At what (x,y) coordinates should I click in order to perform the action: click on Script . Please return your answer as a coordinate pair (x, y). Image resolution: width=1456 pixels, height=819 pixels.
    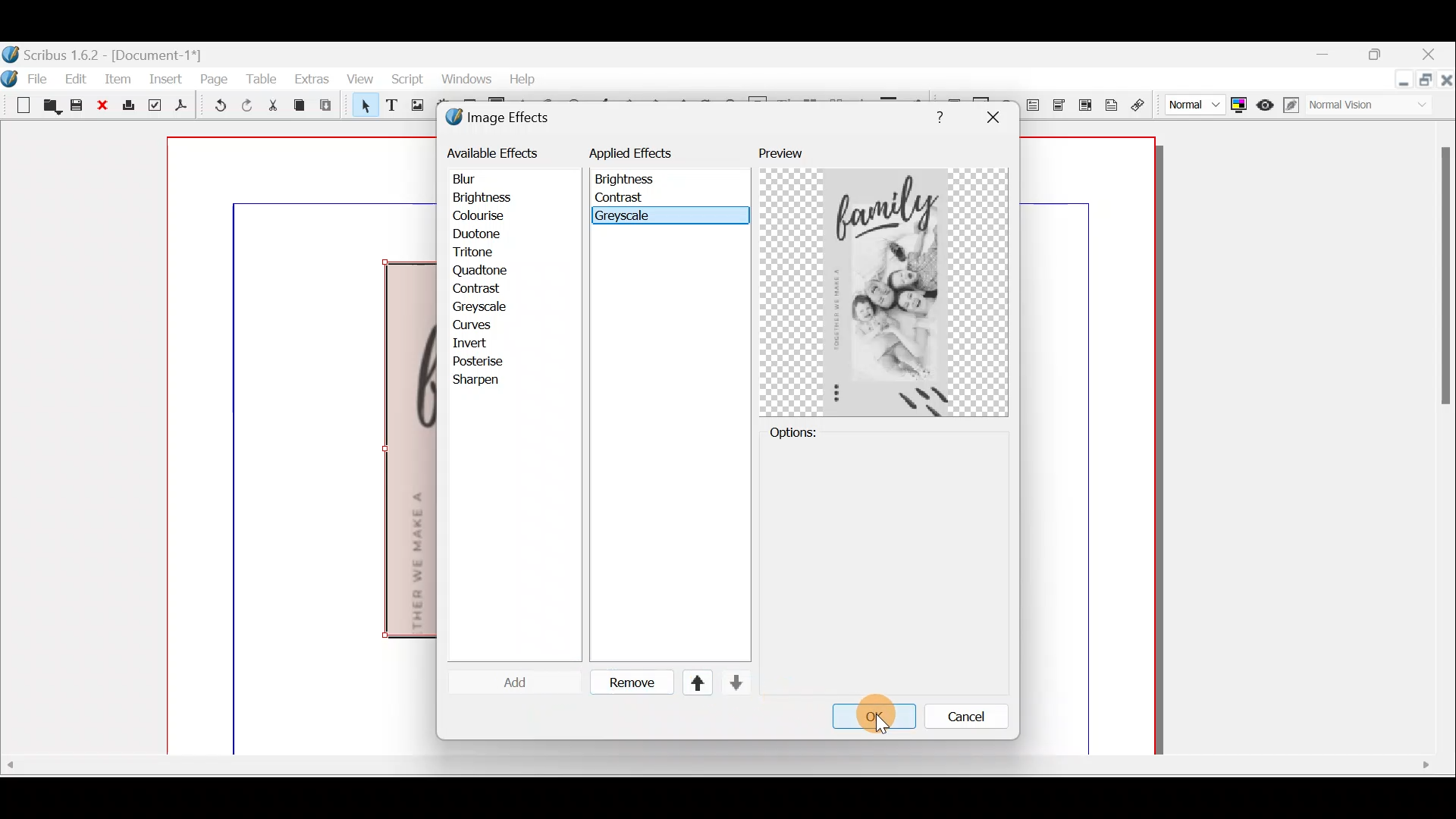
    Looking at the image, I should click on (412, 80).